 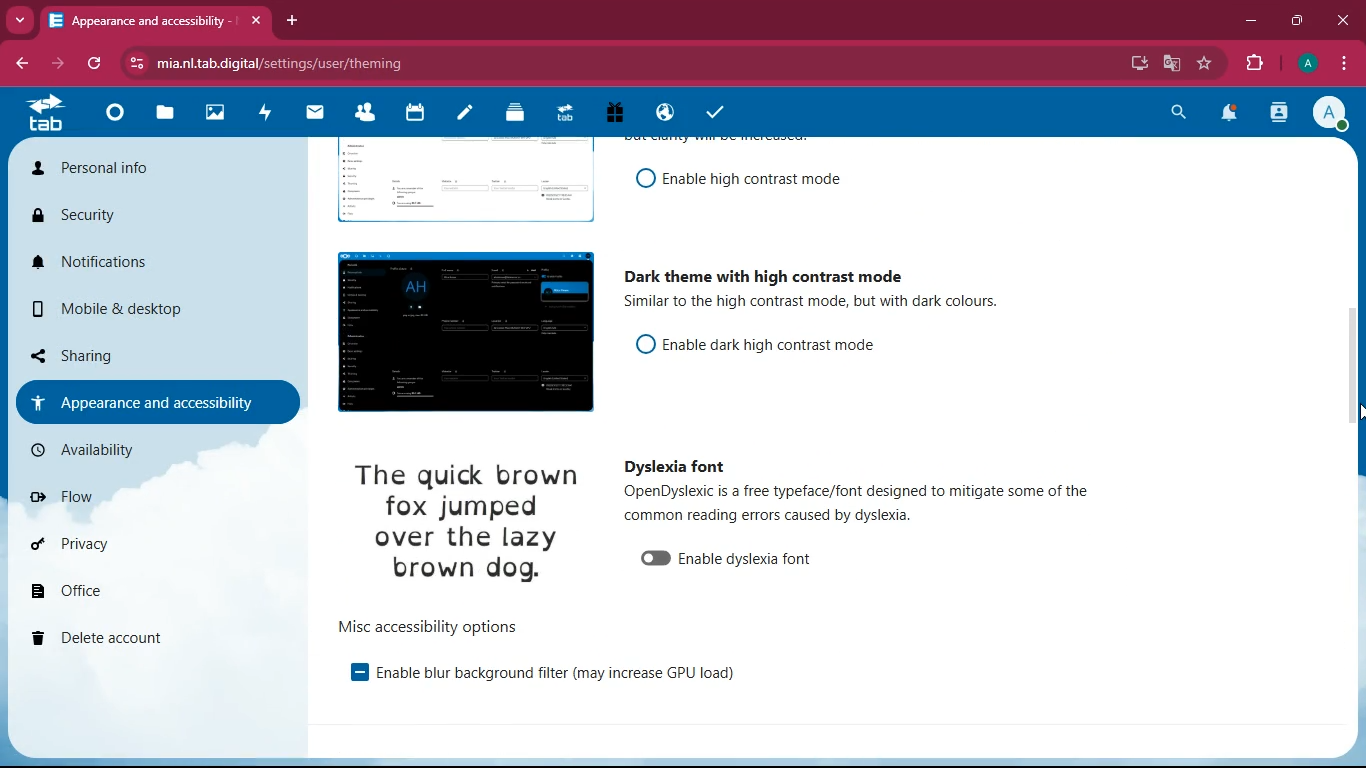 I want to click on extensions, so click(x=1253, y=62).